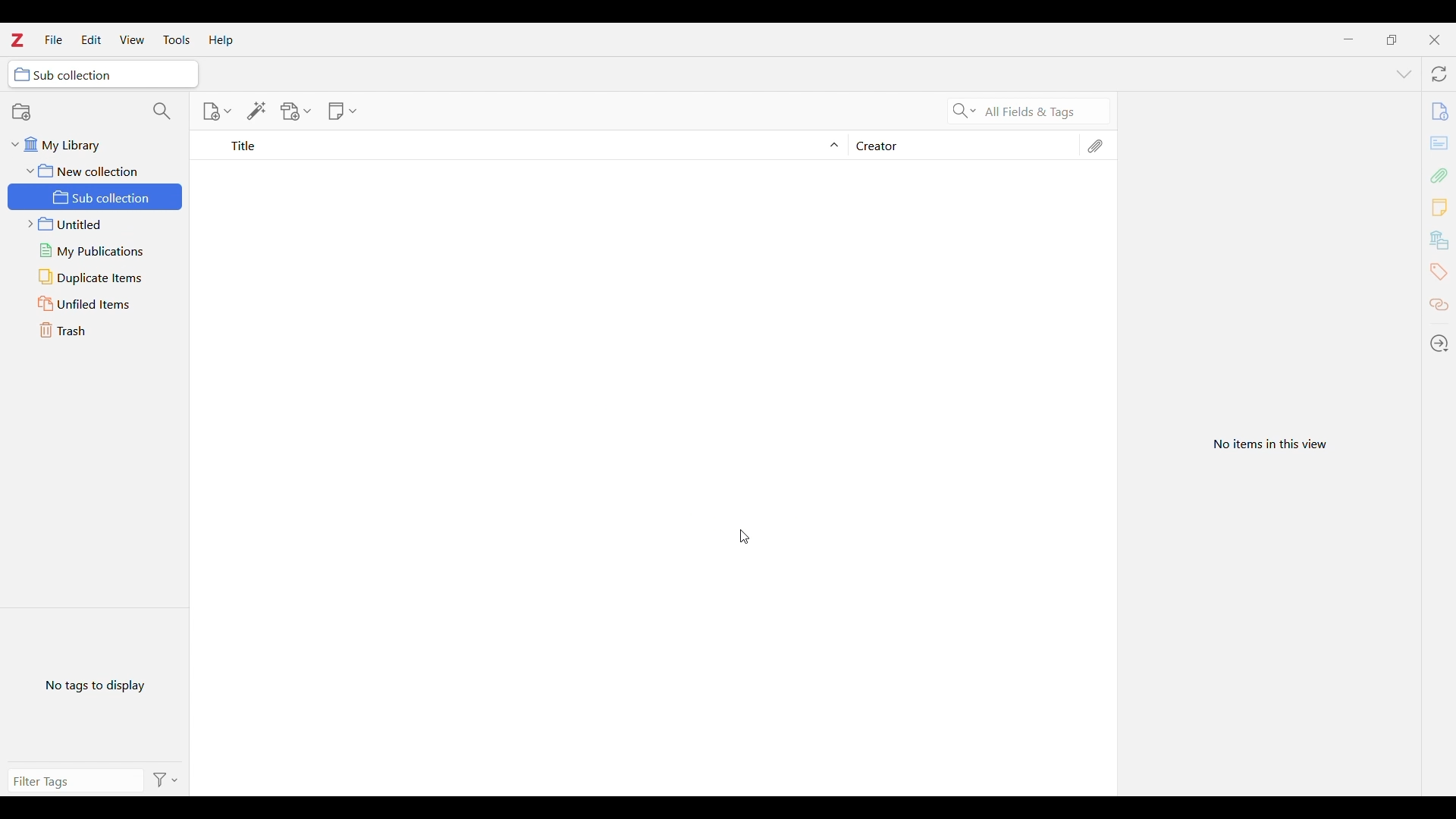 This screenshot has height=819, width=1456. I want to click on Show interface in a smaller tab, so click(1392, 40).